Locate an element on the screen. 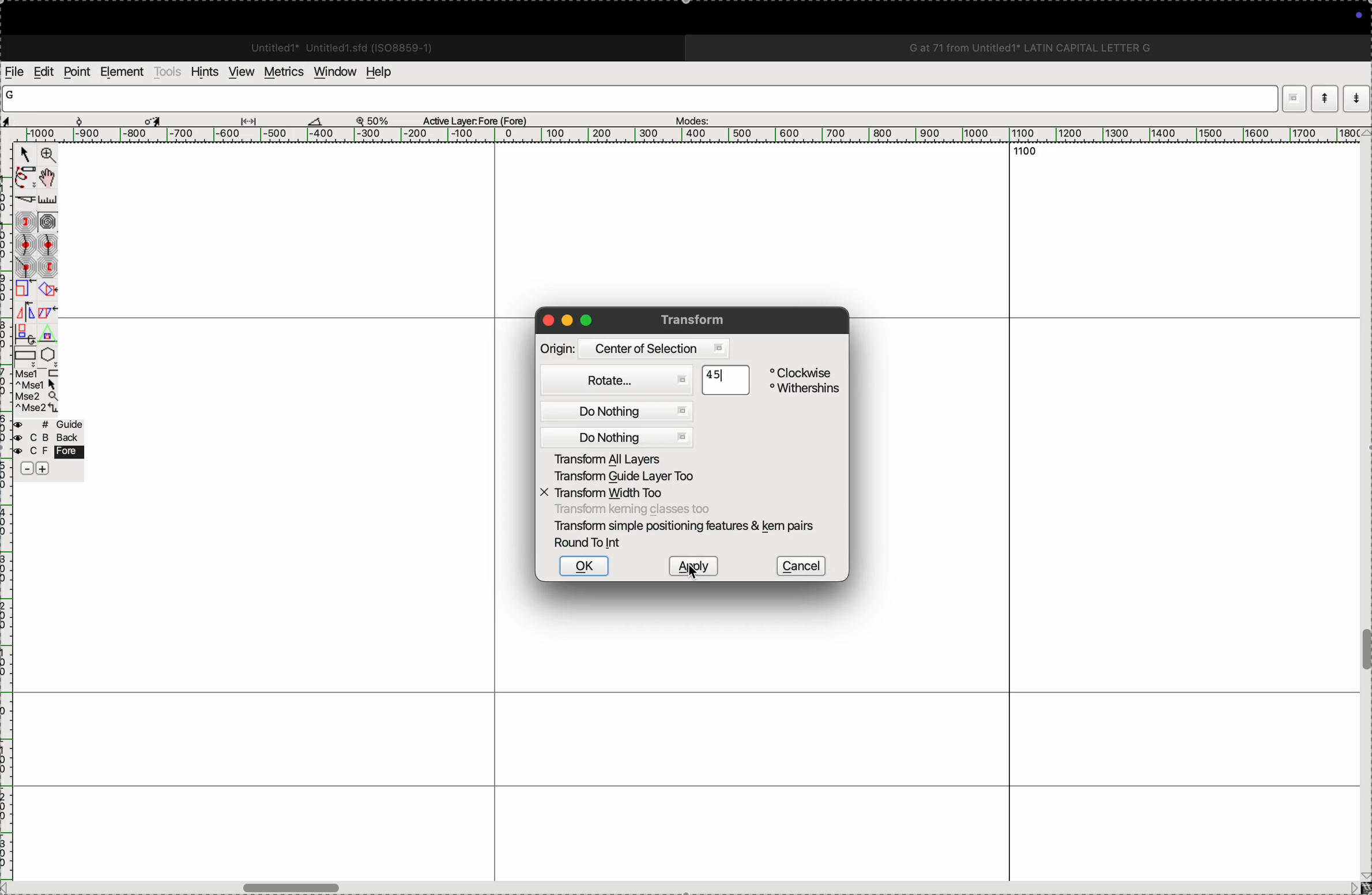  transform guide layer too is located at coordinates (639, 476).